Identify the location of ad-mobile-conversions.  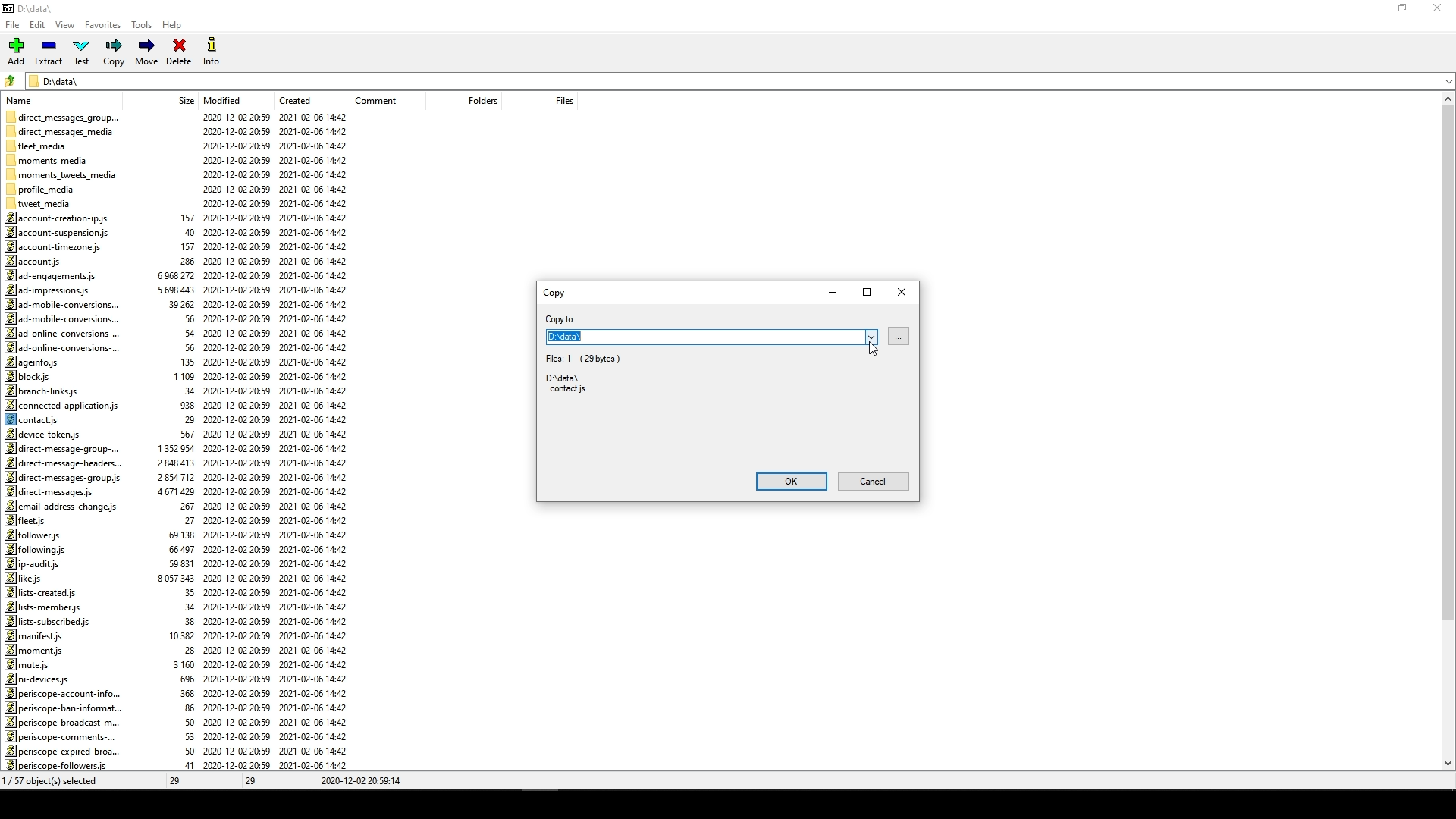
(67, 318).